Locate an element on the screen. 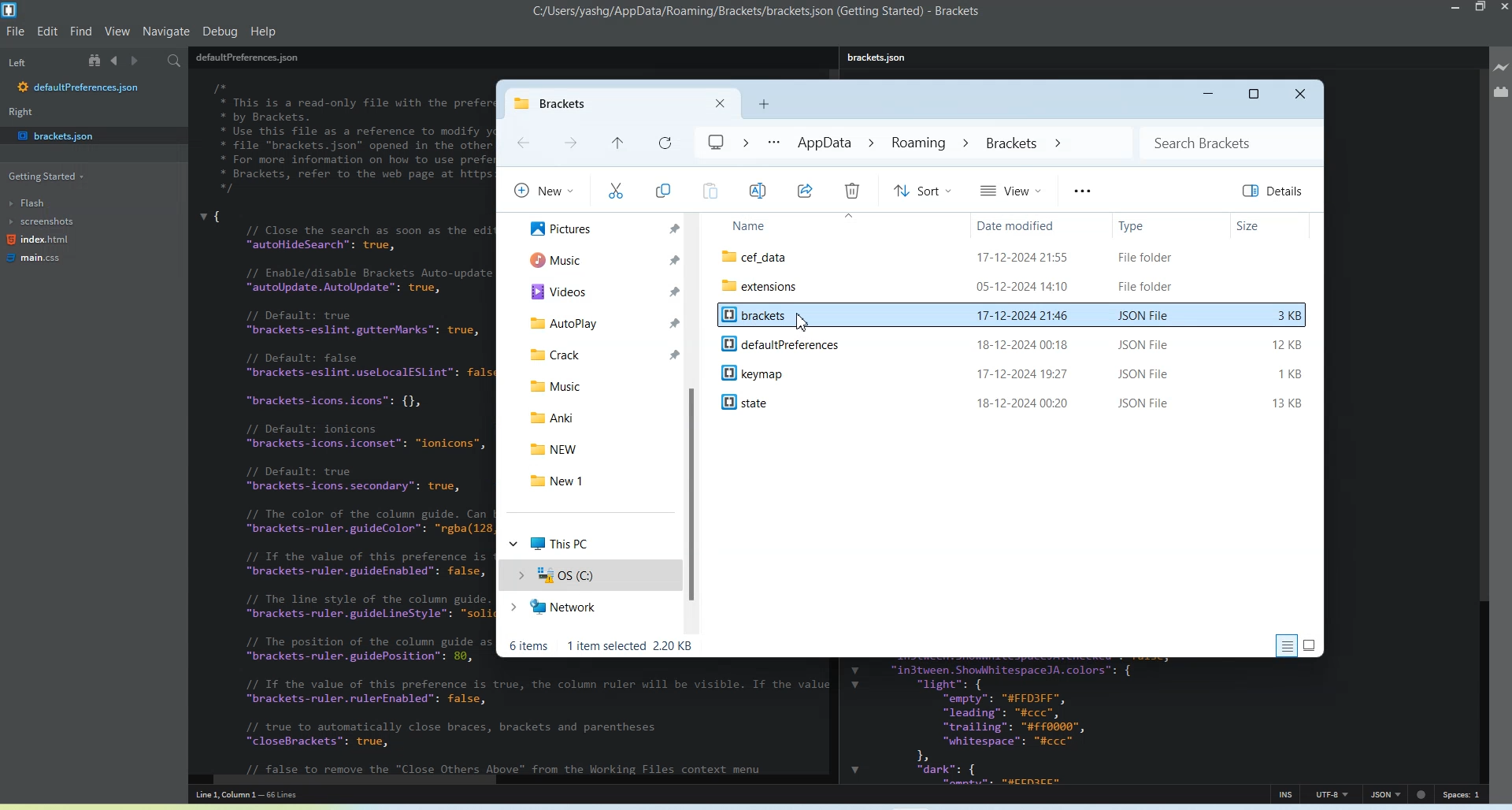 The height and width of the screenshot is (810, 1512). Navigate Backwards is located at coordinates (117, 61).